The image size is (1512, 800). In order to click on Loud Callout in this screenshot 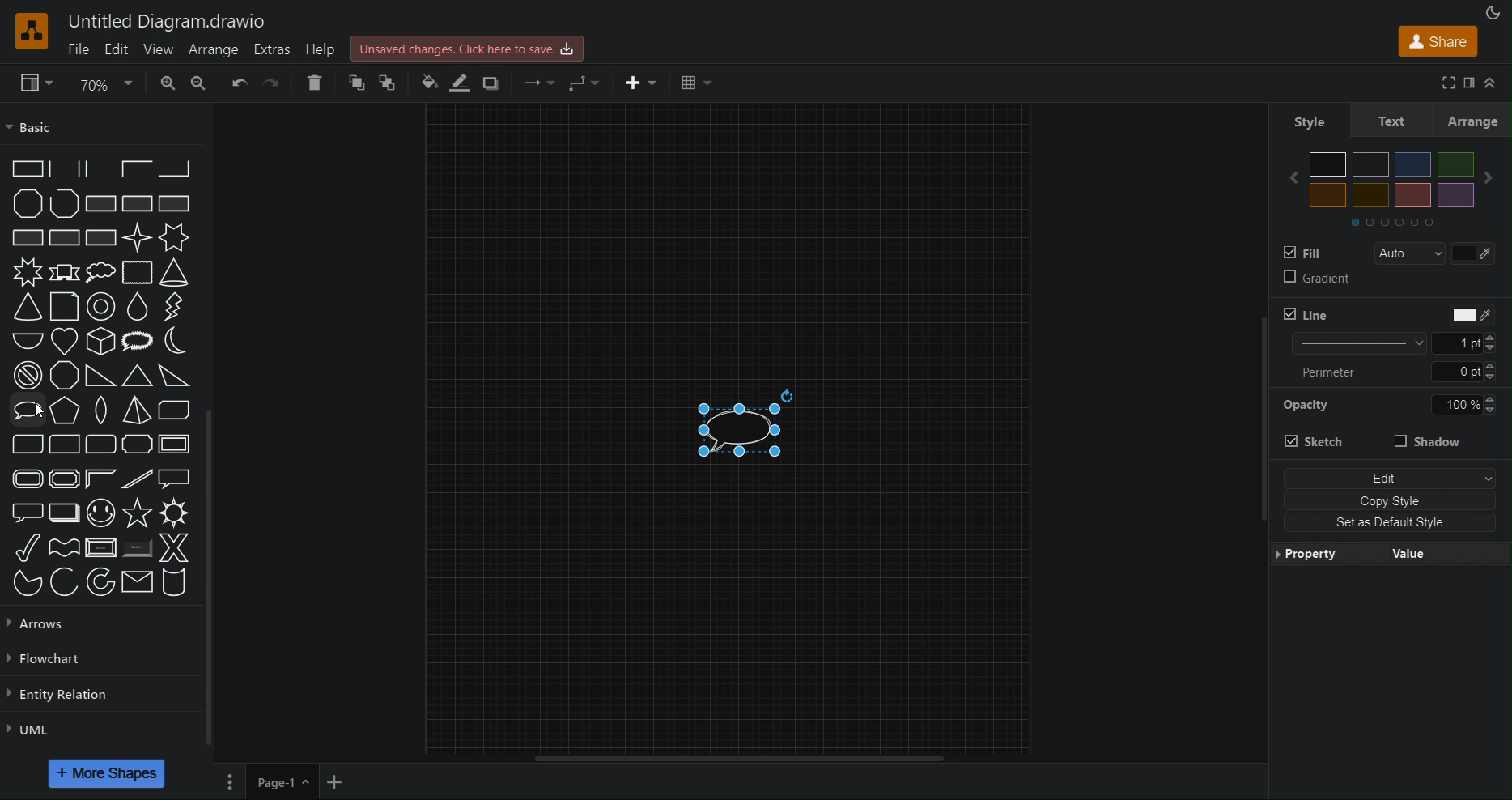, I will do `click(138, 341)`.